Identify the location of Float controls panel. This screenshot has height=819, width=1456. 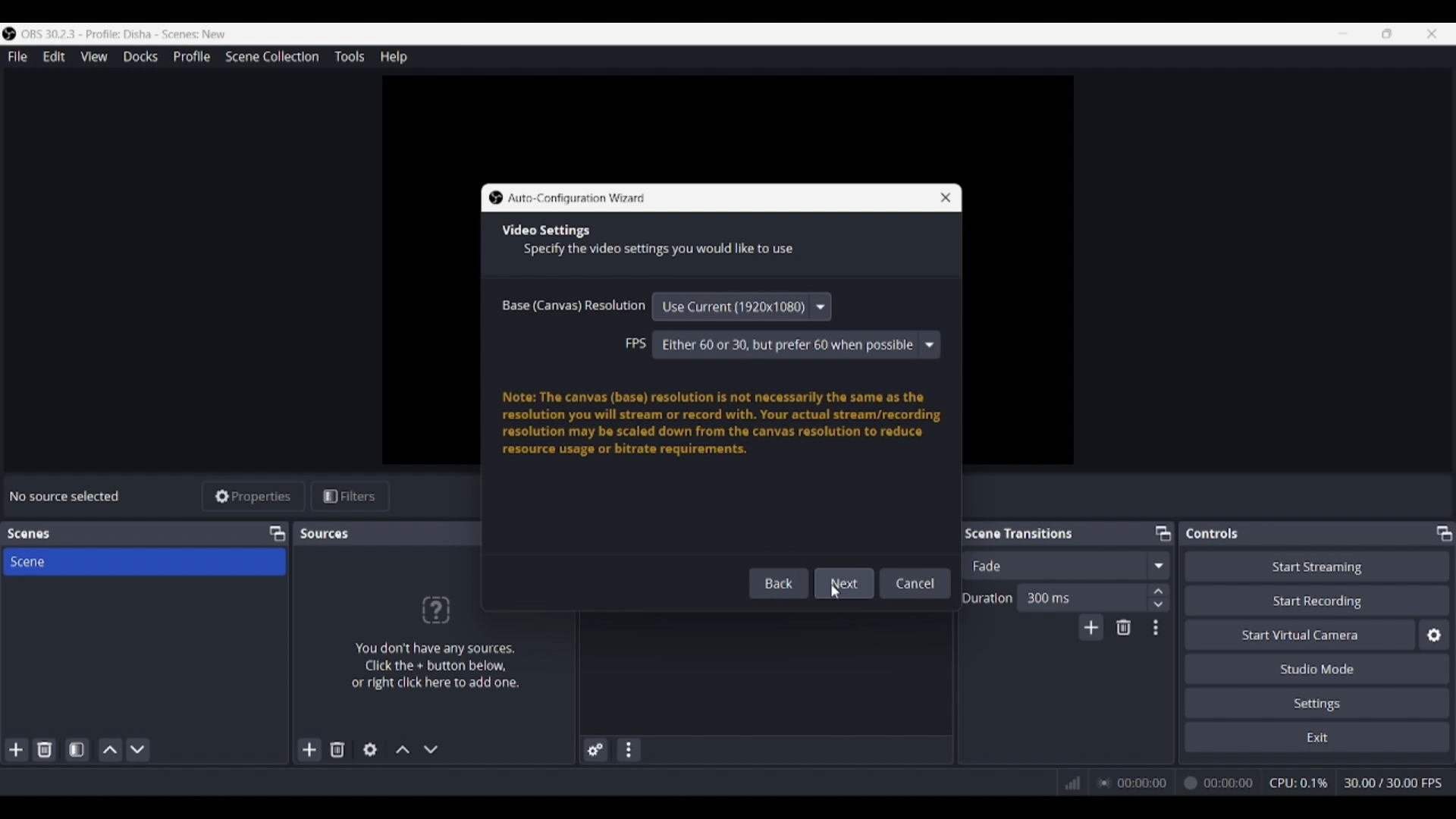
(1444, 533).